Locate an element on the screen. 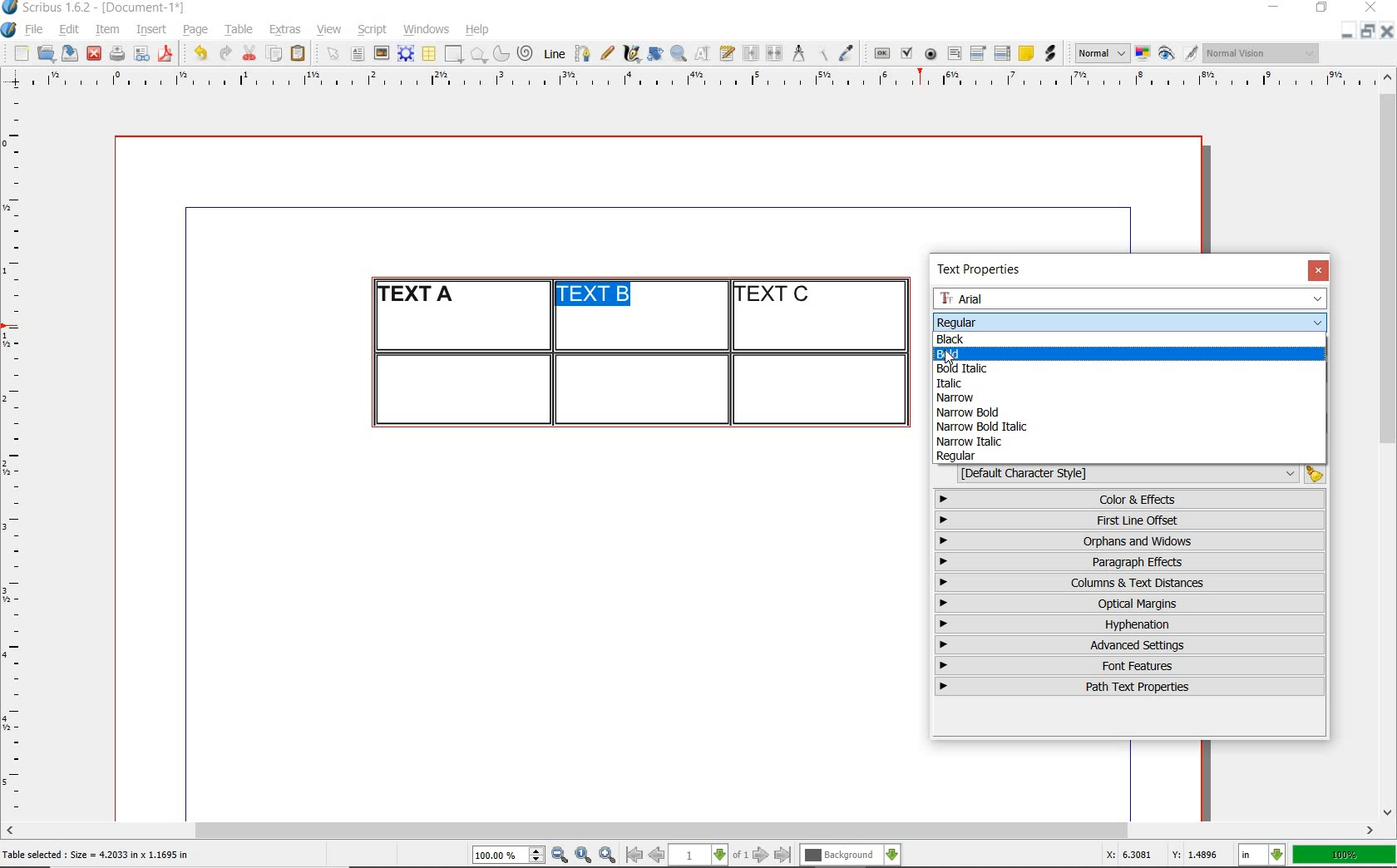 The height and width of the screenshot is (868, 1397). windows is located at coordinates (427, 30).